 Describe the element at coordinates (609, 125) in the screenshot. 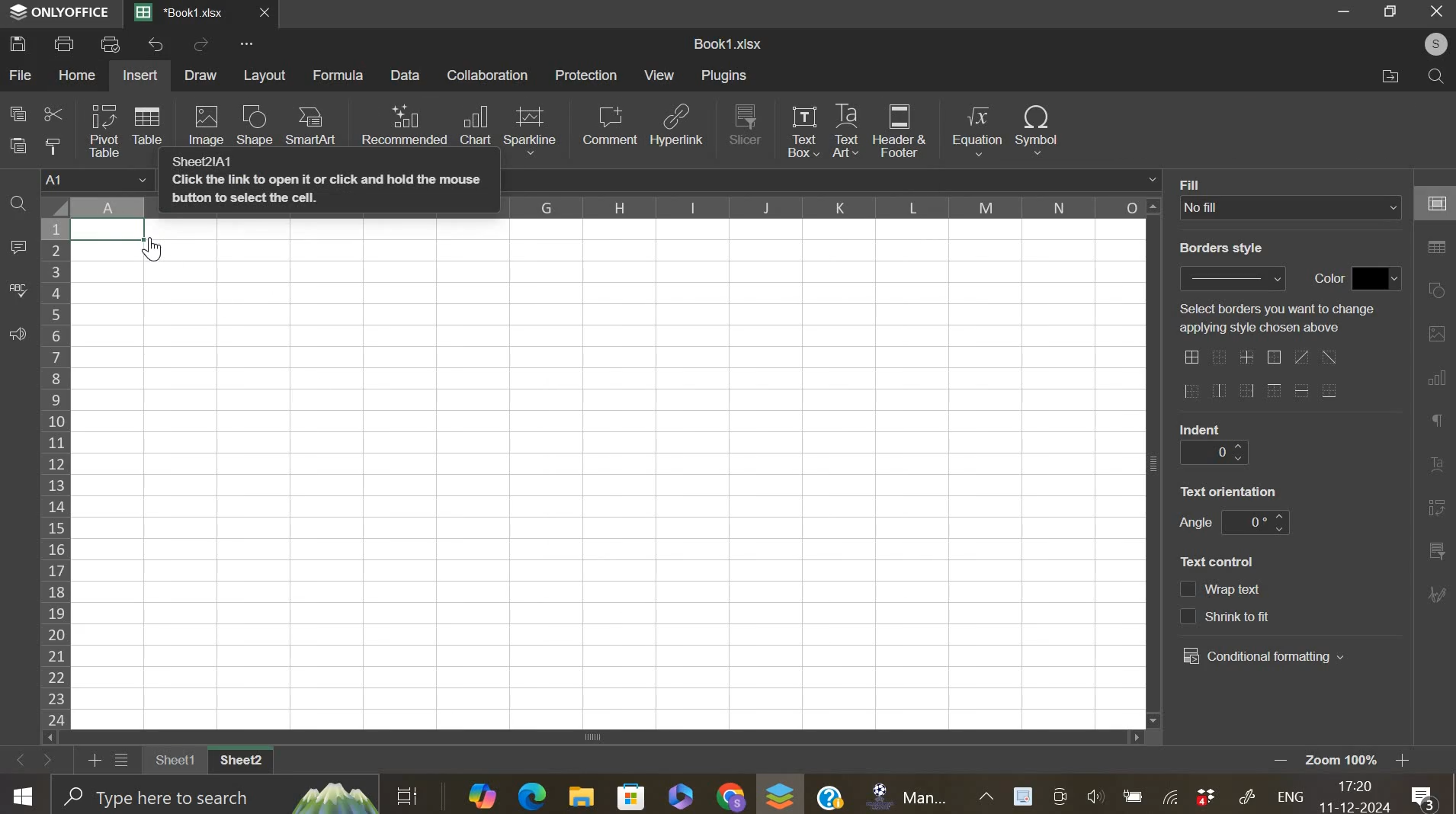

I see `comment` at that location.